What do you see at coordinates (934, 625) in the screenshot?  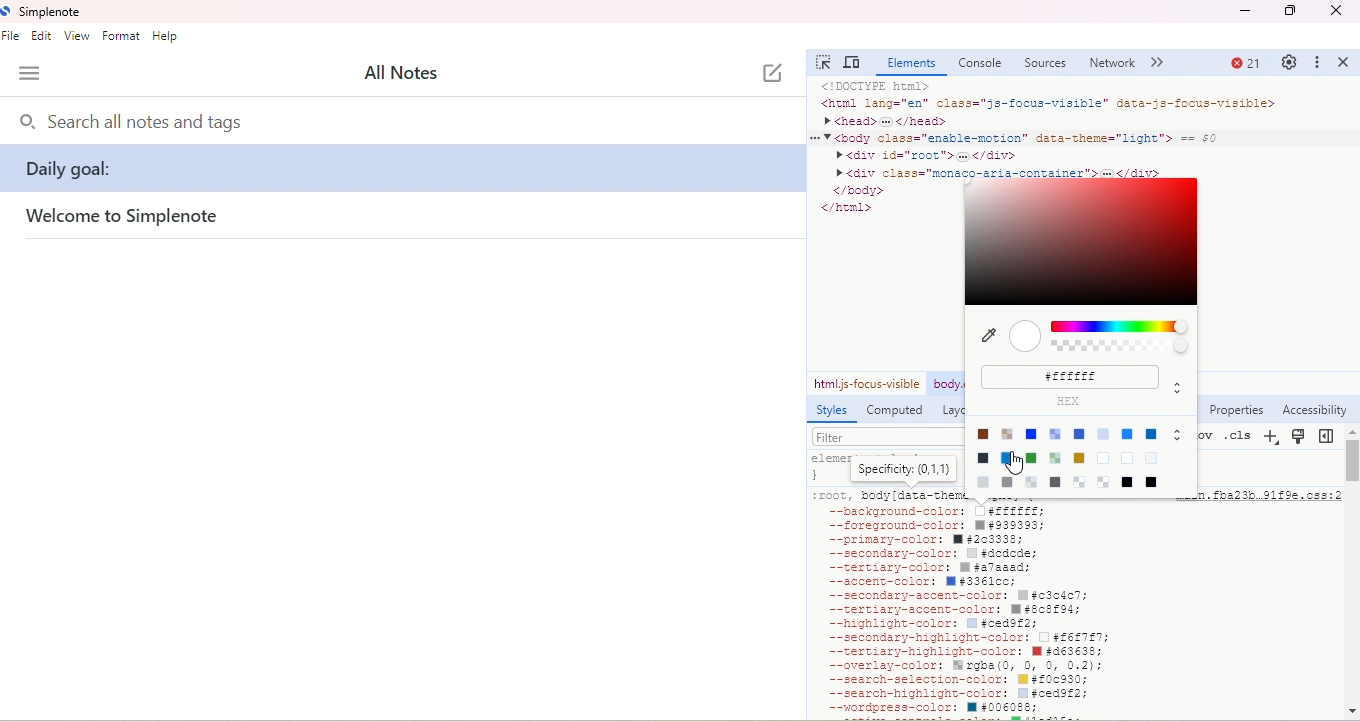 I see `highlight-color` at bounding box center [934, 625].